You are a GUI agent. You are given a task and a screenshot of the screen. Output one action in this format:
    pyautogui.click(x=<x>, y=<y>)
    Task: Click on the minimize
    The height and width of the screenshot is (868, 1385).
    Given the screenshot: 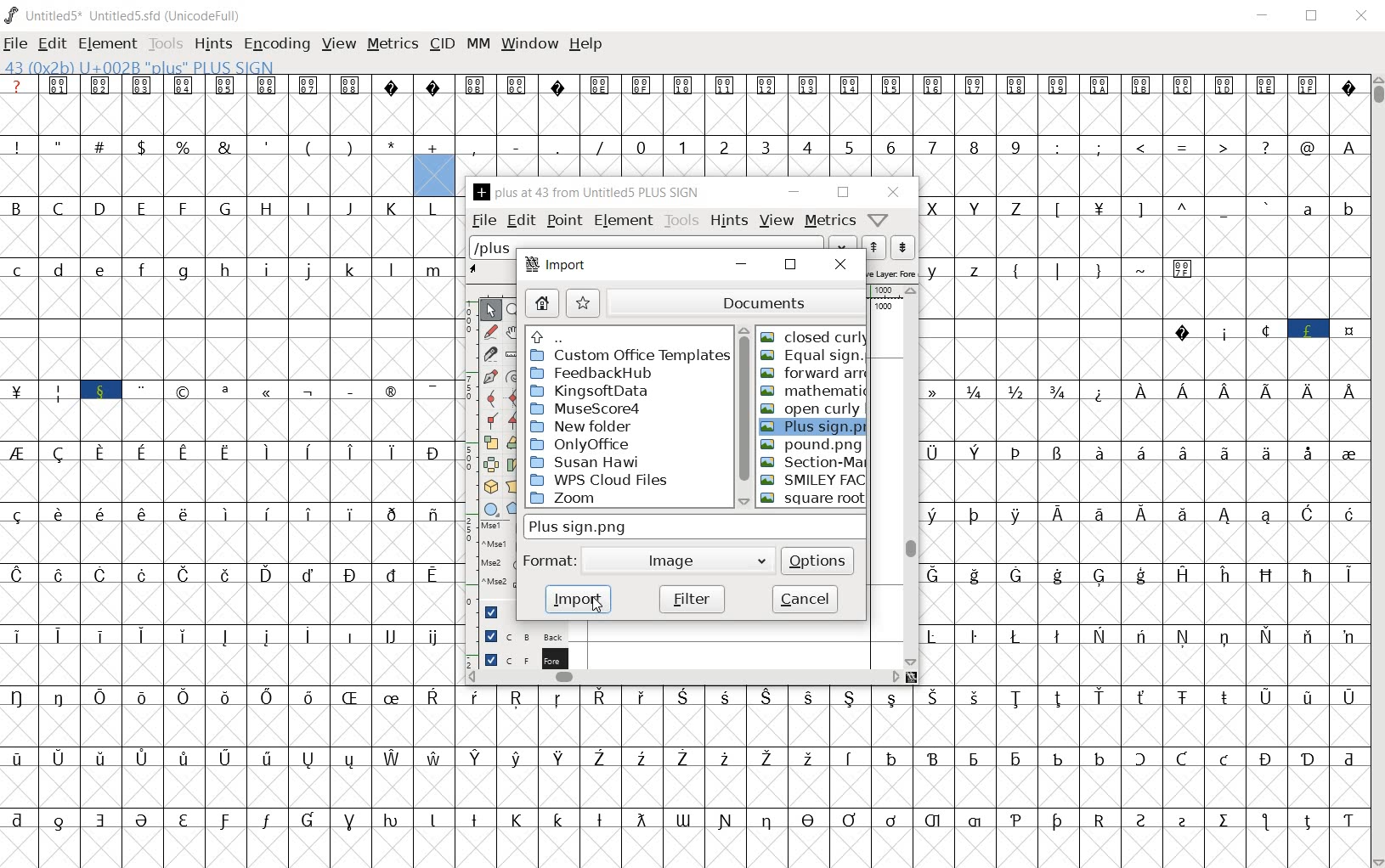 What is the action you would take?
    pyautogui.click(x=1265, y=14)
    